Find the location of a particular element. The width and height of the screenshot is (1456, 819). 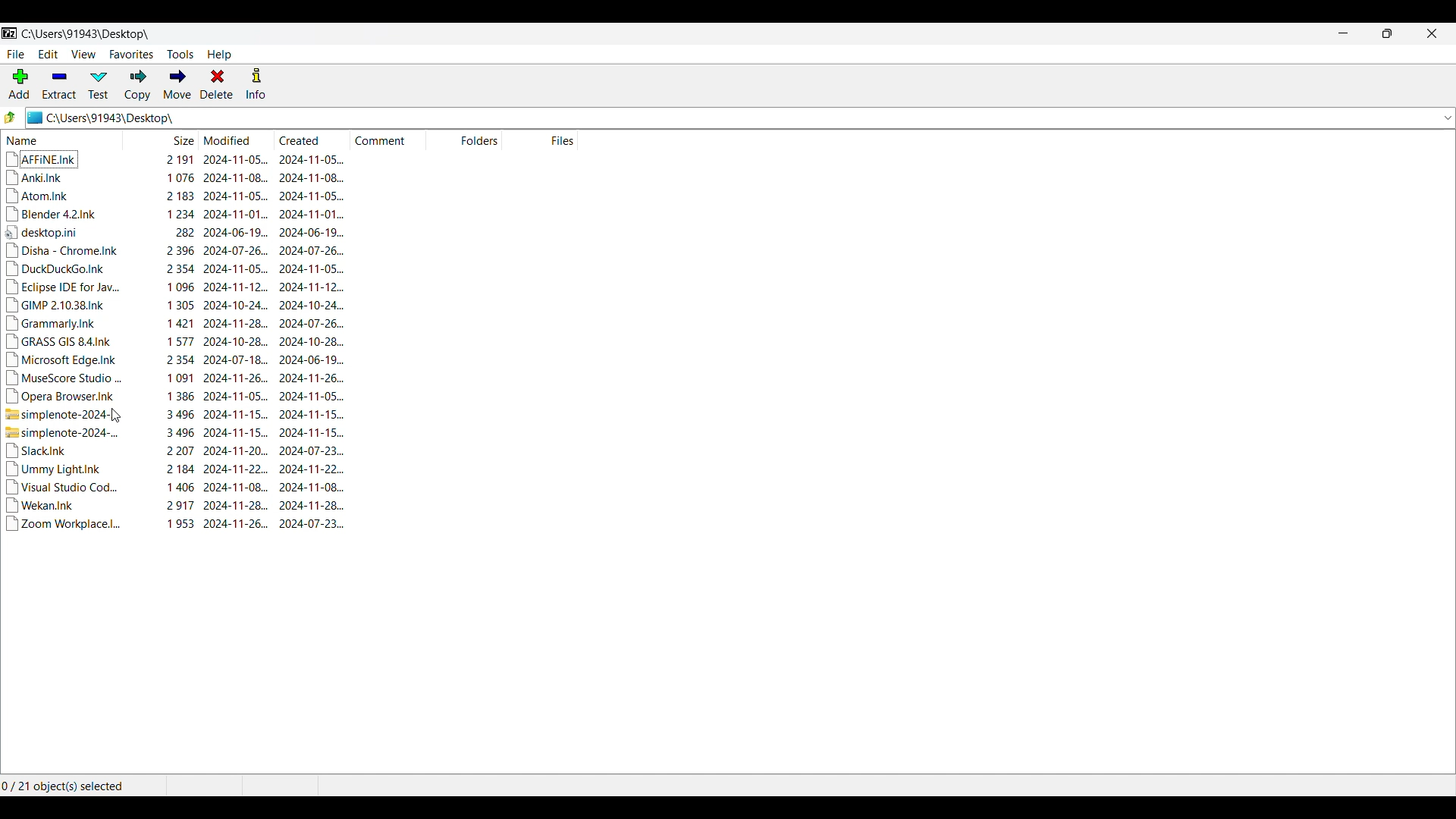

File is located at coordinates (15, 55).